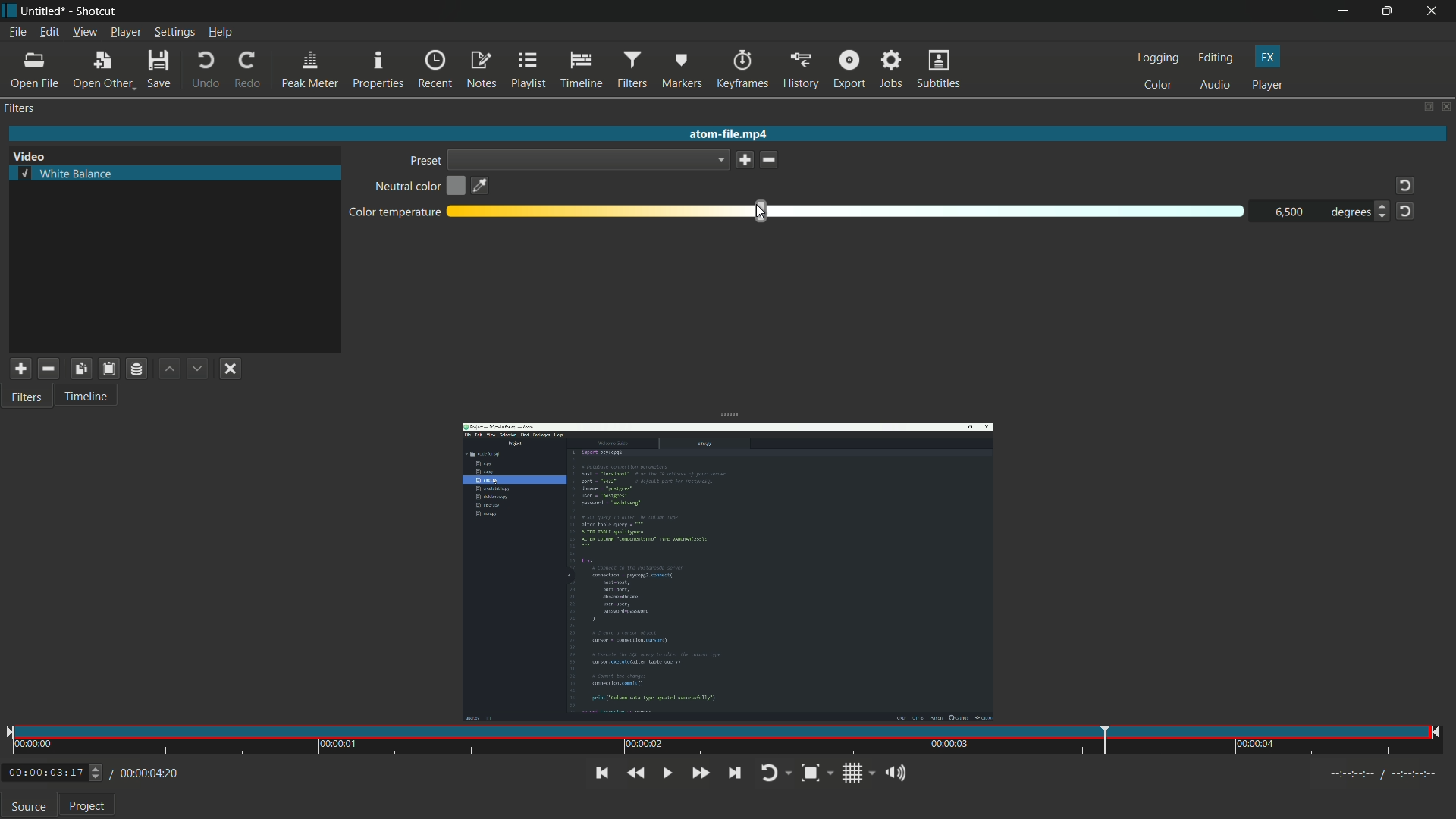 This screenshot has height=819, width=1456. I want to click on notes, so click(481, 71).